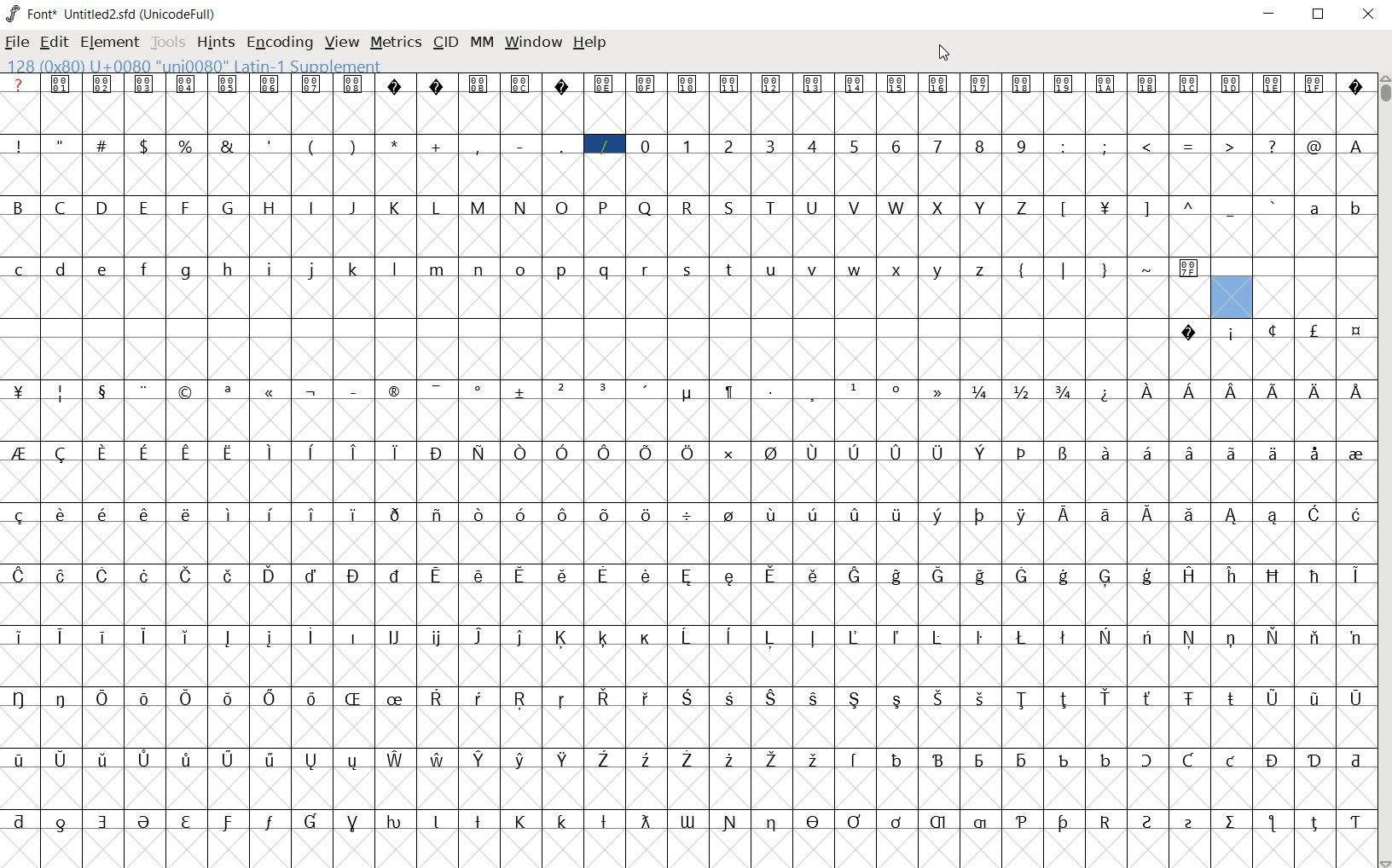 This screenshot has height=868, width=1392. I want to click on glyph, so click(1356, 514).